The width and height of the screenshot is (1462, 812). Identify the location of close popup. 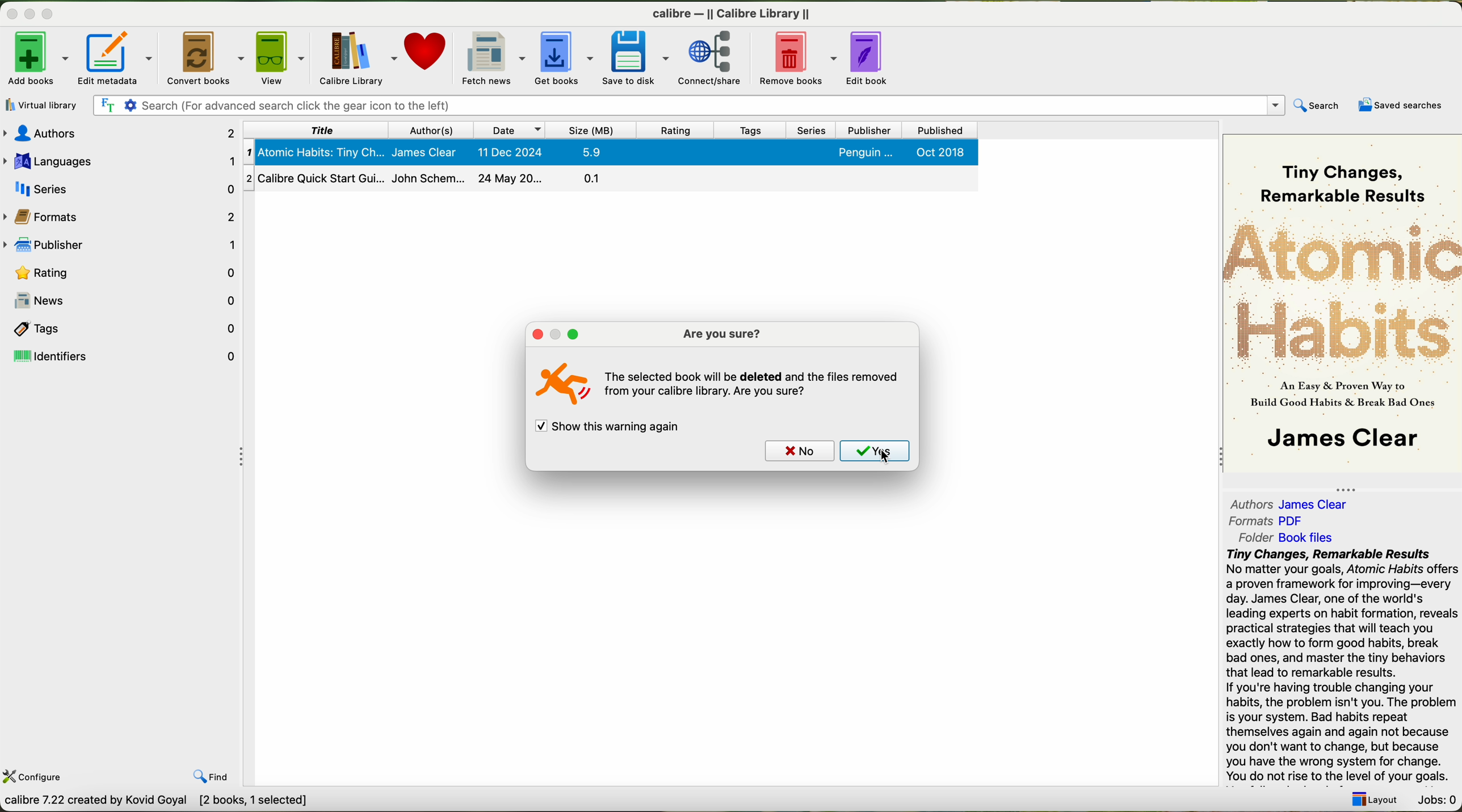
(533, 334).